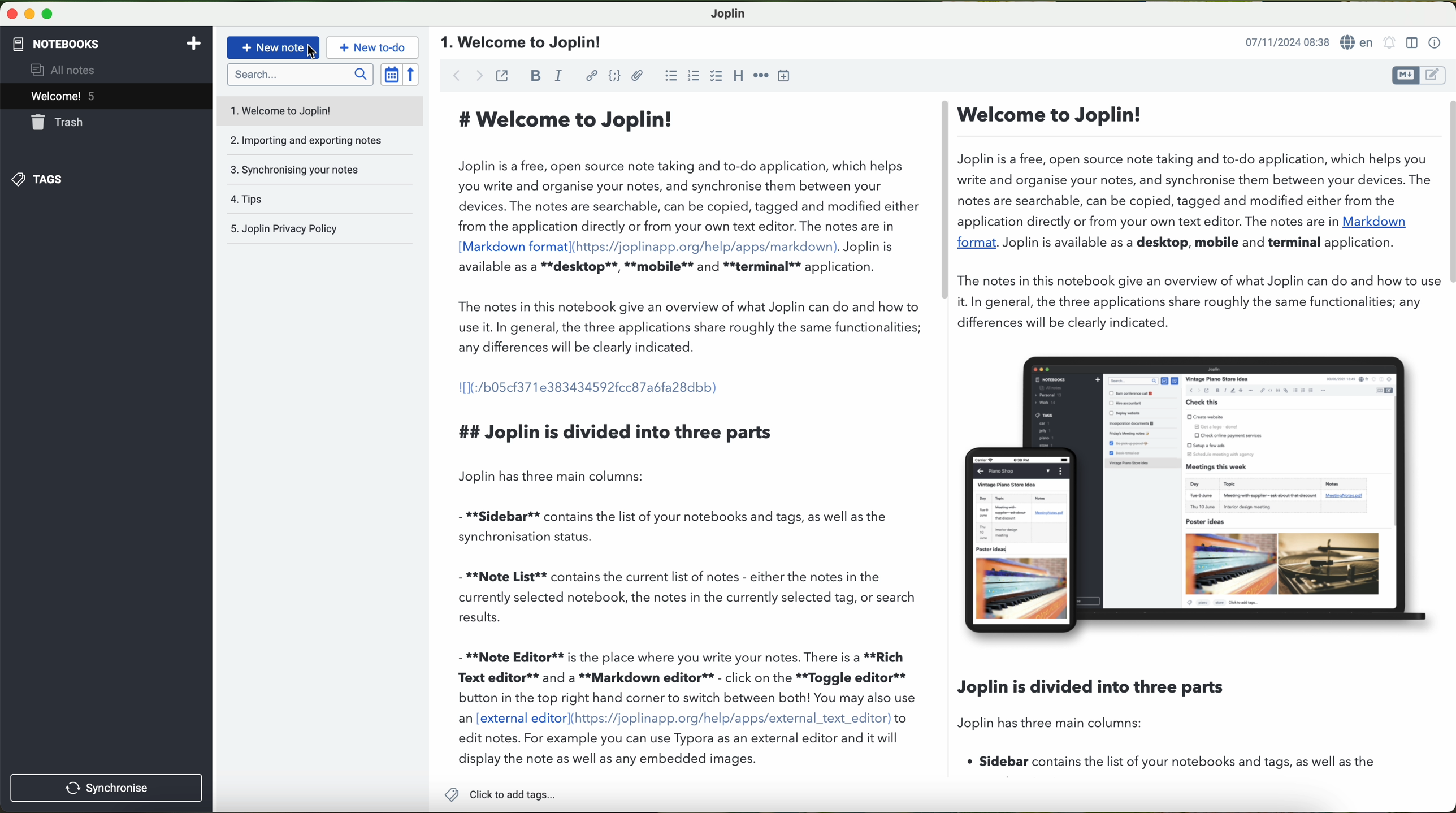 This screenshot has height=813, width=1456. Describe the element at coordinates (717, 77) in the screenshot. I see `checkbox` at that location.